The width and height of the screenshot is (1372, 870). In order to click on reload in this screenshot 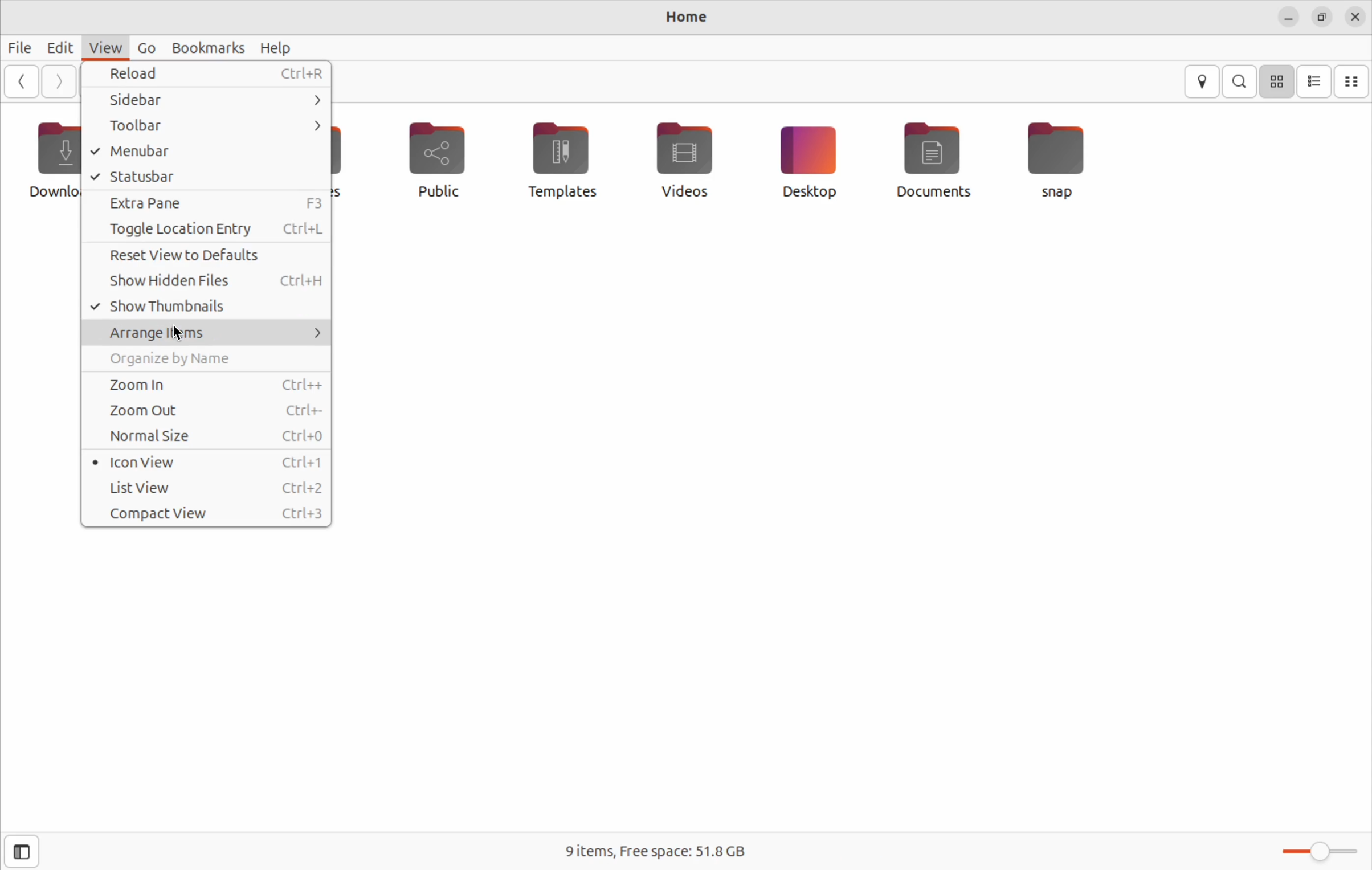, I will do `click(208, 76)`.